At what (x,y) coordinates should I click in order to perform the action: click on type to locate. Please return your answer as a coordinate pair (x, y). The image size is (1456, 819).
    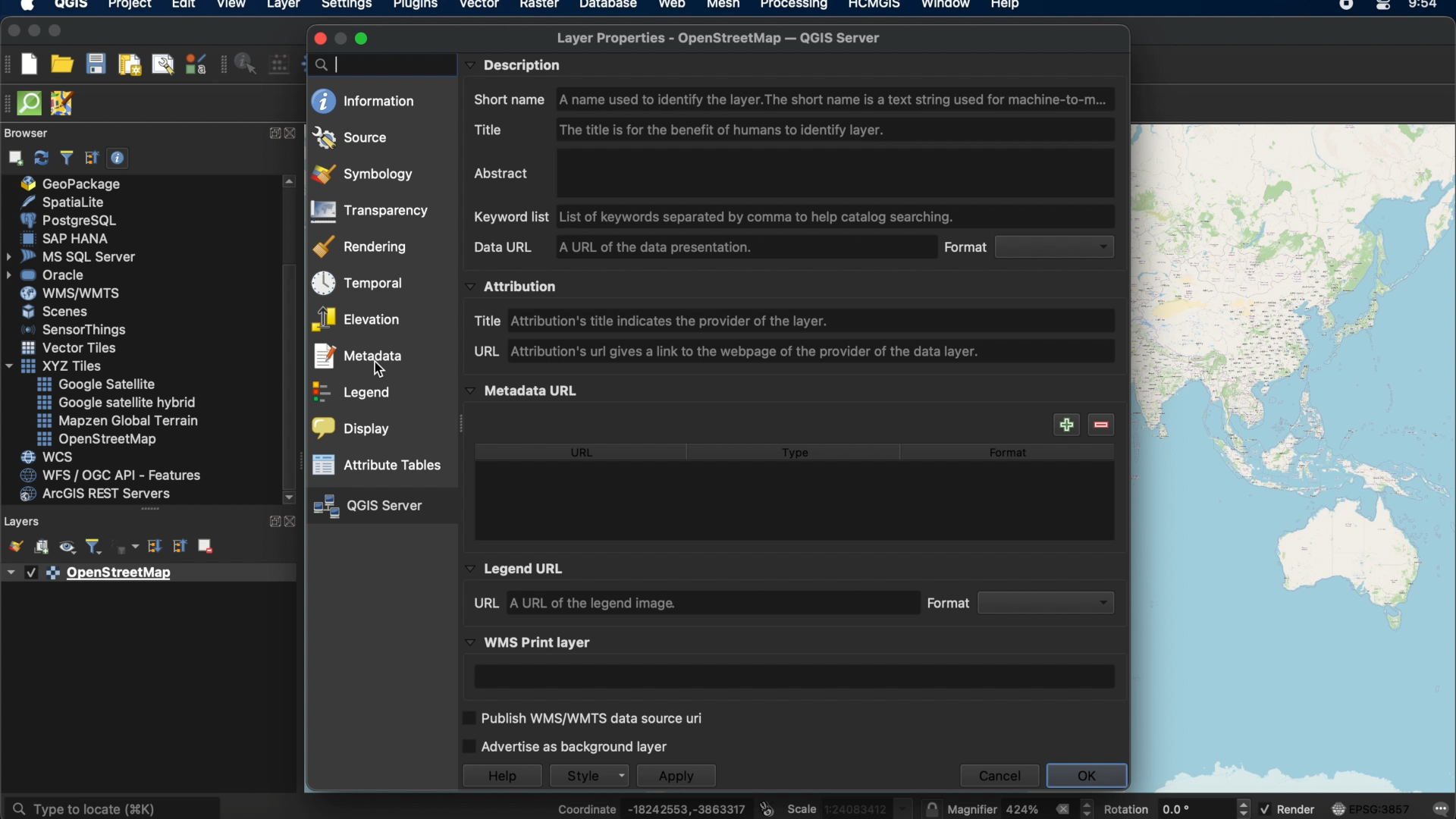
    Looking at the image, I should click on (115, 804).